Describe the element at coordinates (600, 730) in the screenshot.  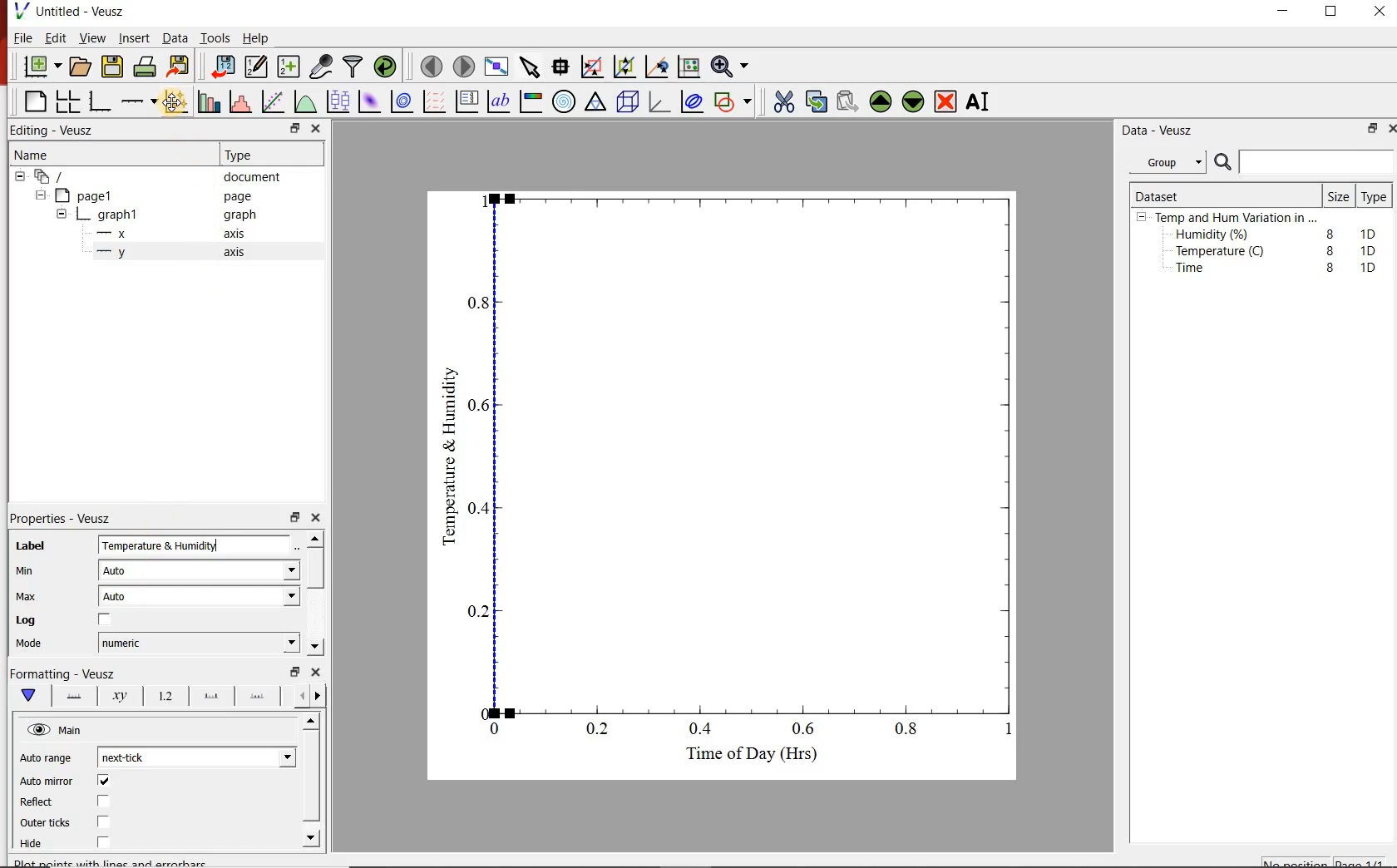
I see `0.2` at that location.